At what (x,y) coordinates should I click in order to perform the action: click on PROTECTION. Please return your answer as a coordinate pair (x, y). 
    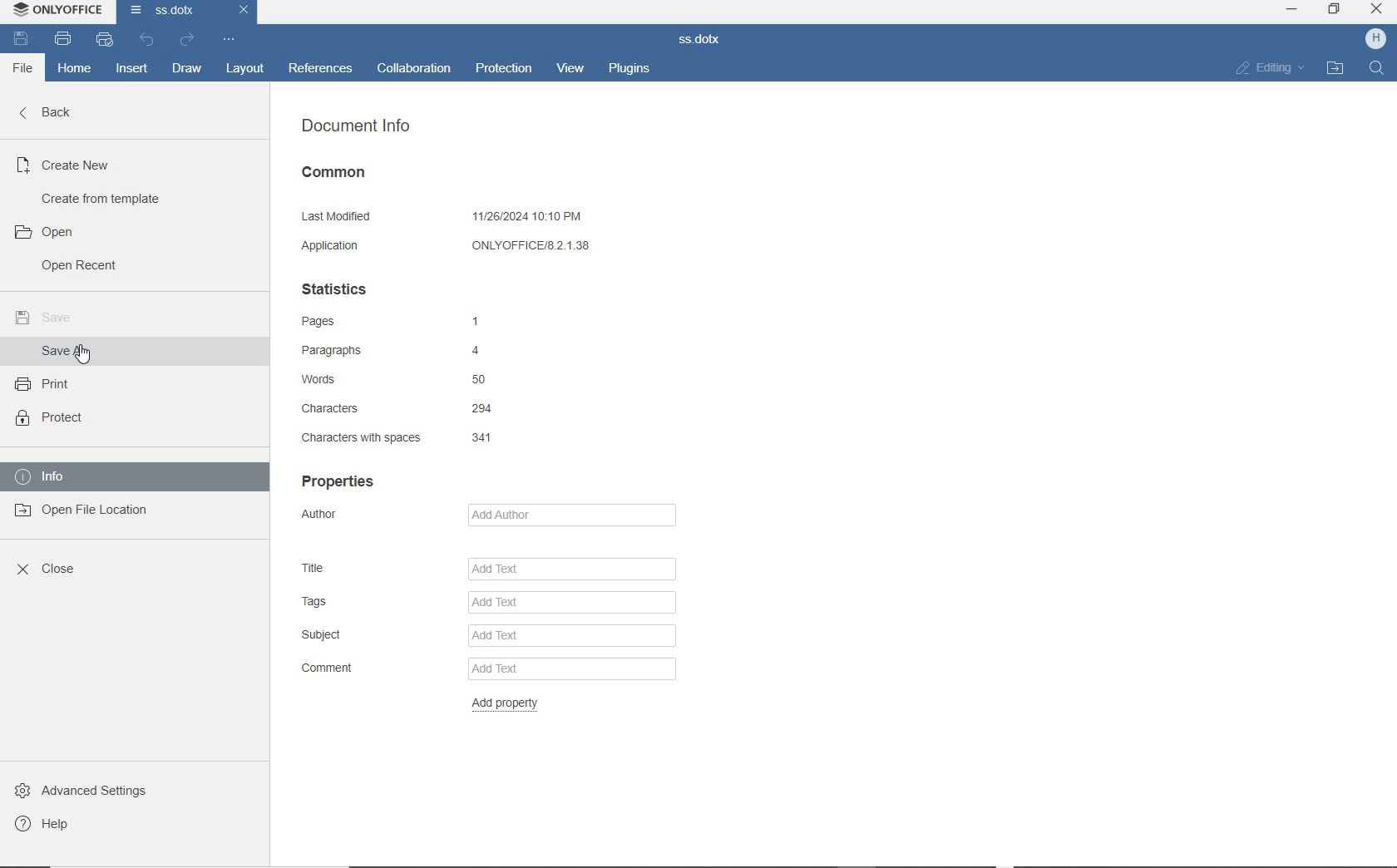
    Looking at the image, I should click on (505, 67).